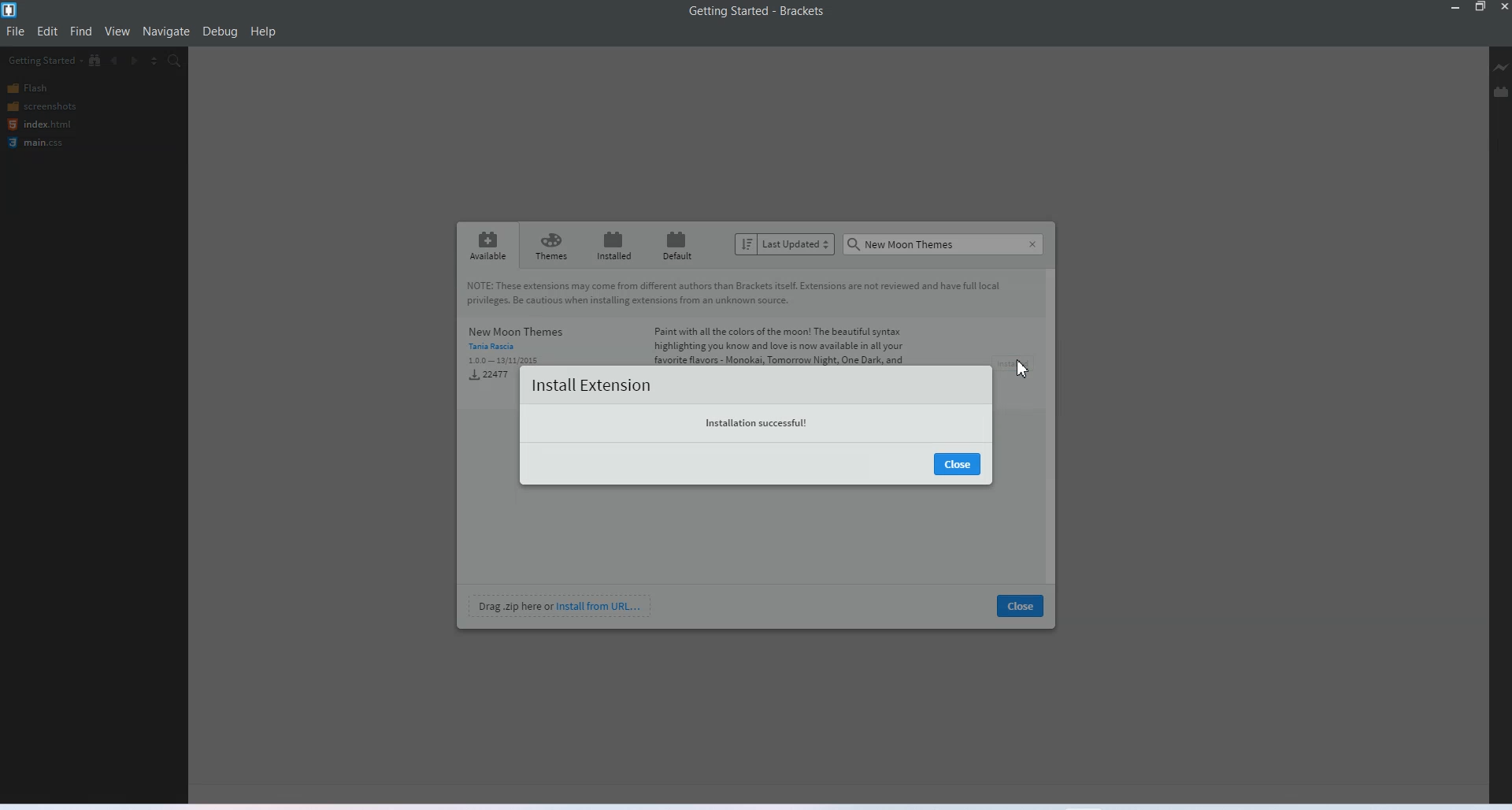 The width and height of the screenshot is (1512, 810). Describe the element at coordinates (48, 31) in the screenshot. I see `Edit` at that location.